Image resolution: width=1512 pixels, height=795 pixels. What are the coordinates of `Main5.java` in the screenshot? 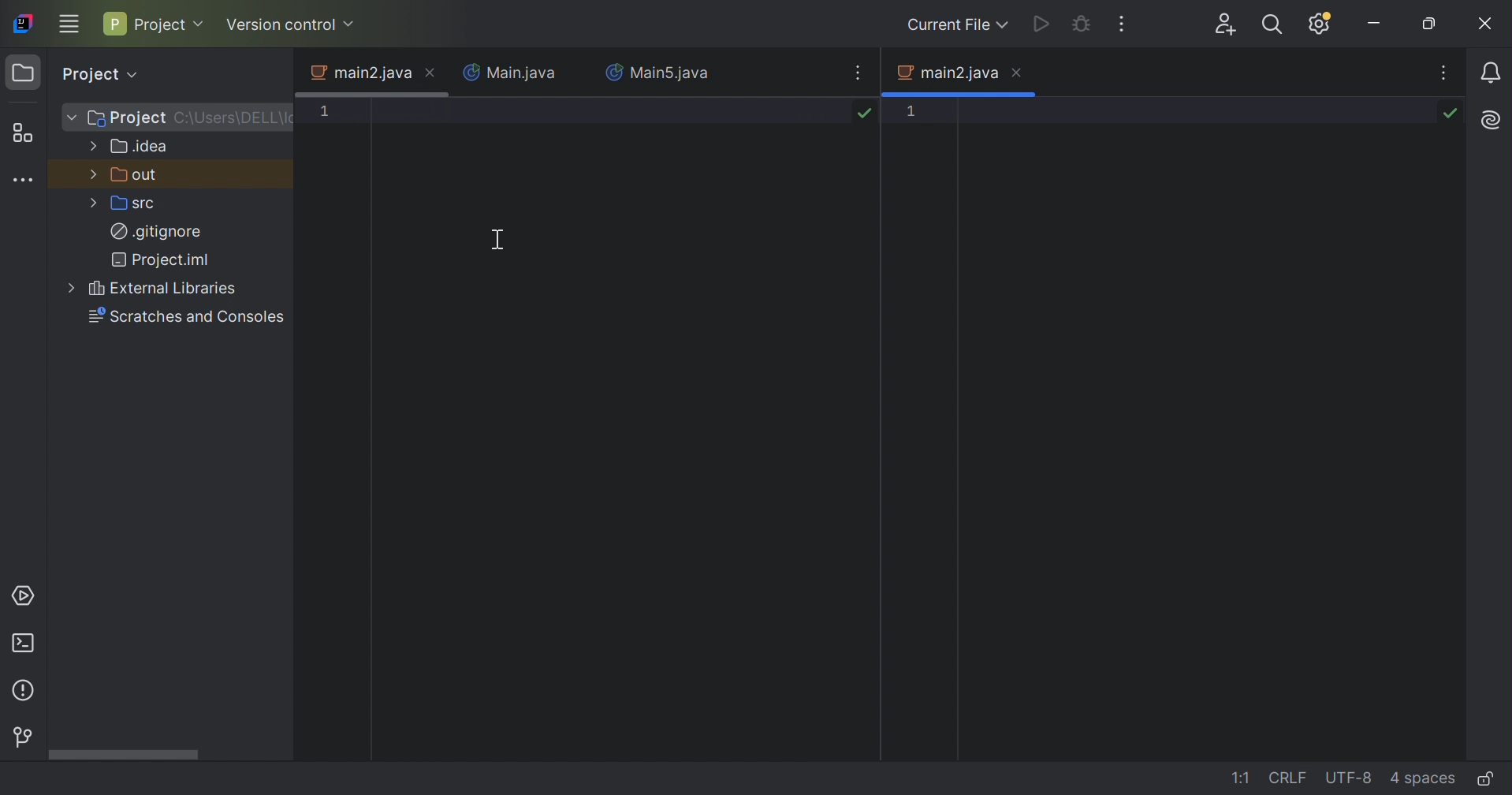 It's located at (661, 73).